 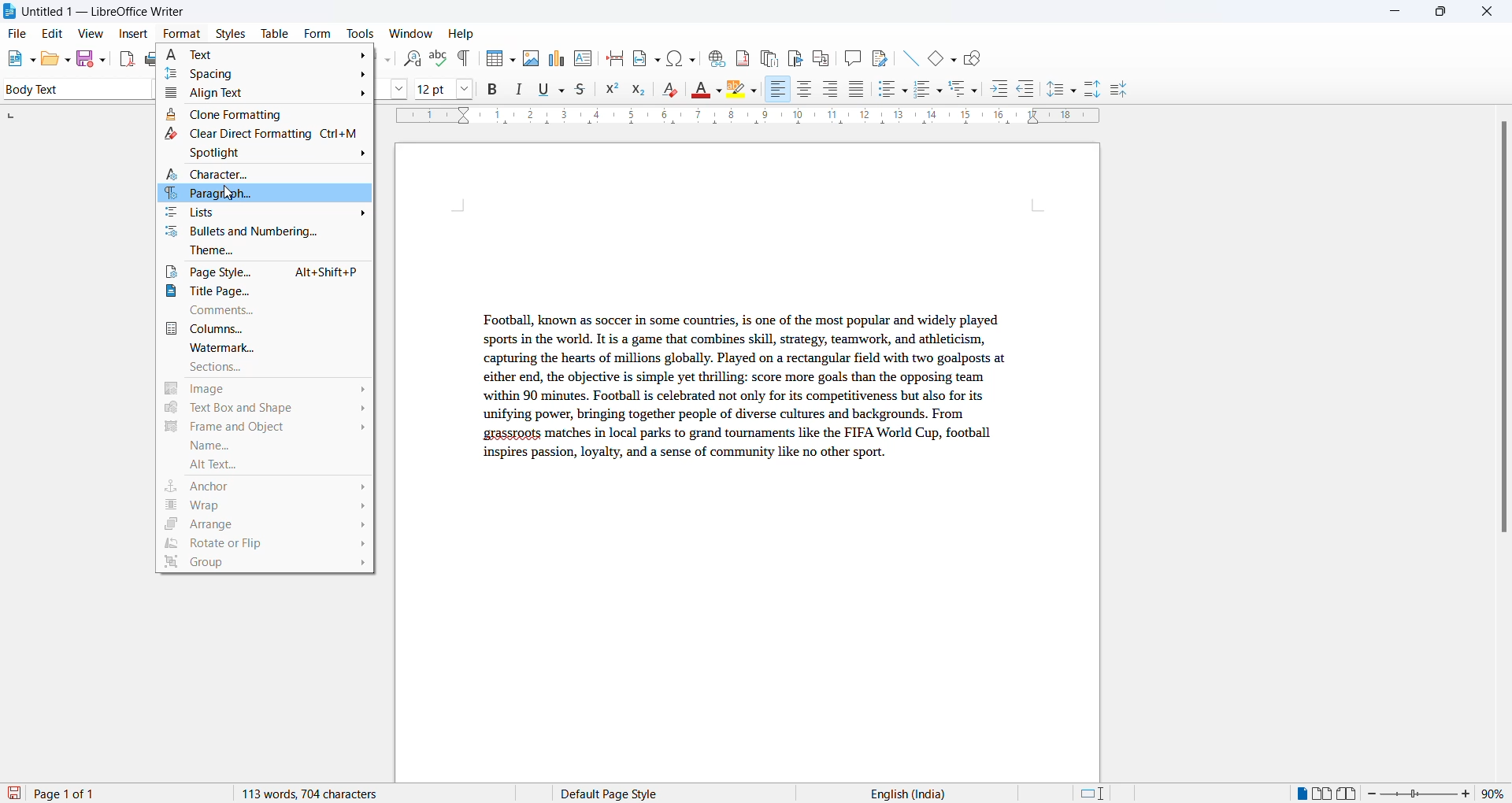 I want to click on tools, so click(x=360, y=34).